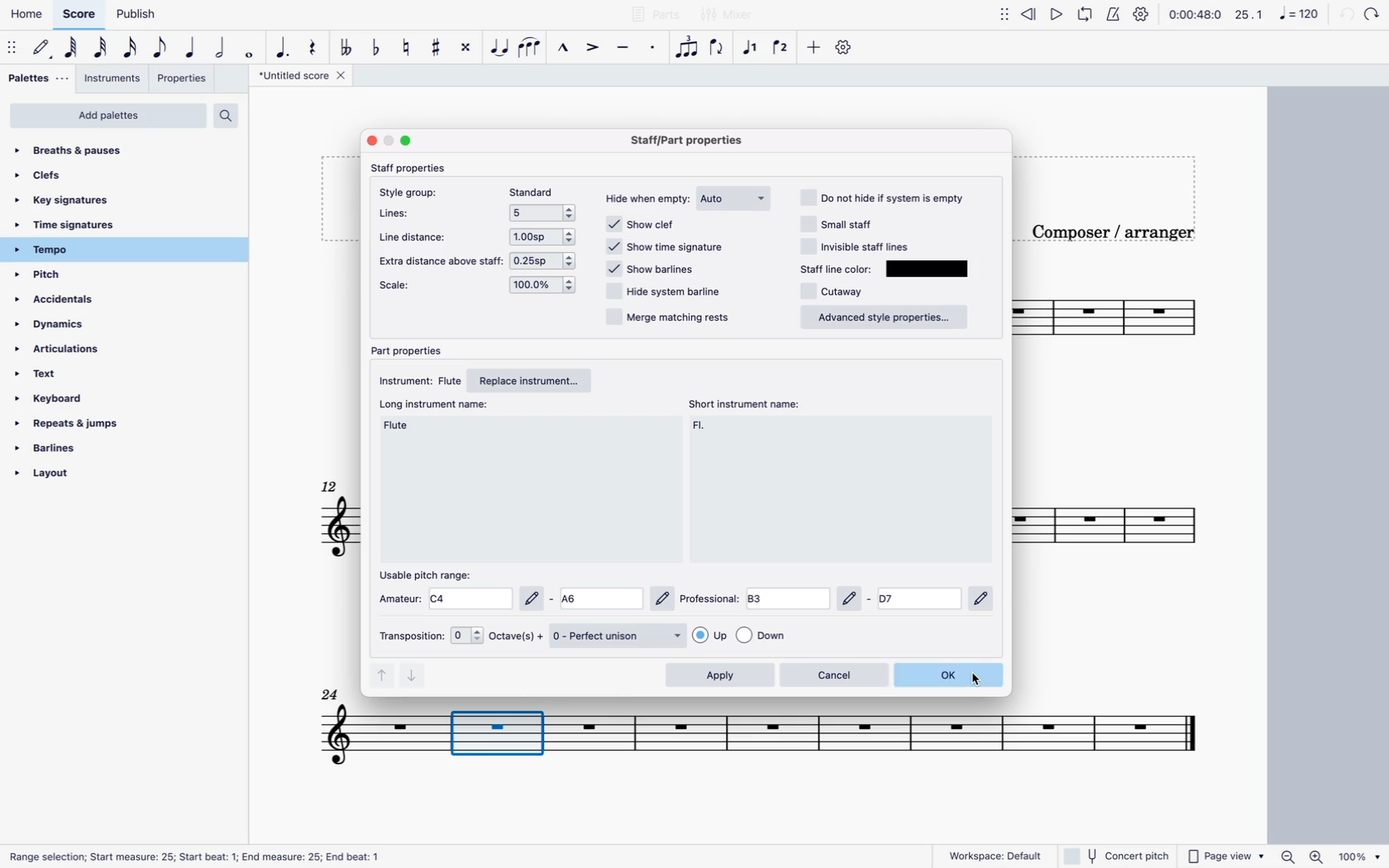  I want to click on short instrument name, so click(704, 427).